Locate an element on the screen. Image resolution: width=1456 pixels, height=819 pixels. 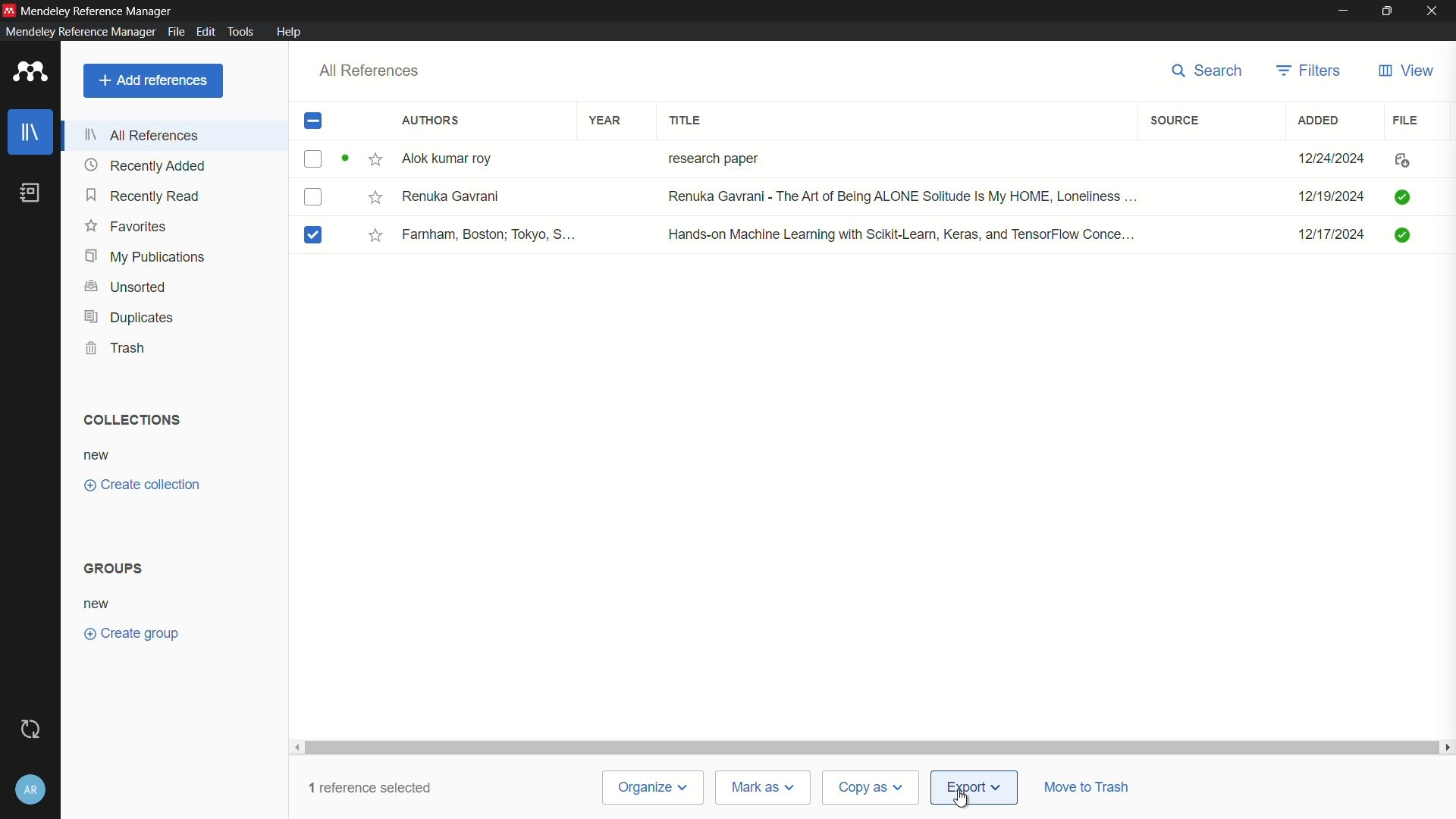
recently added is located at coordinates (147, 165).